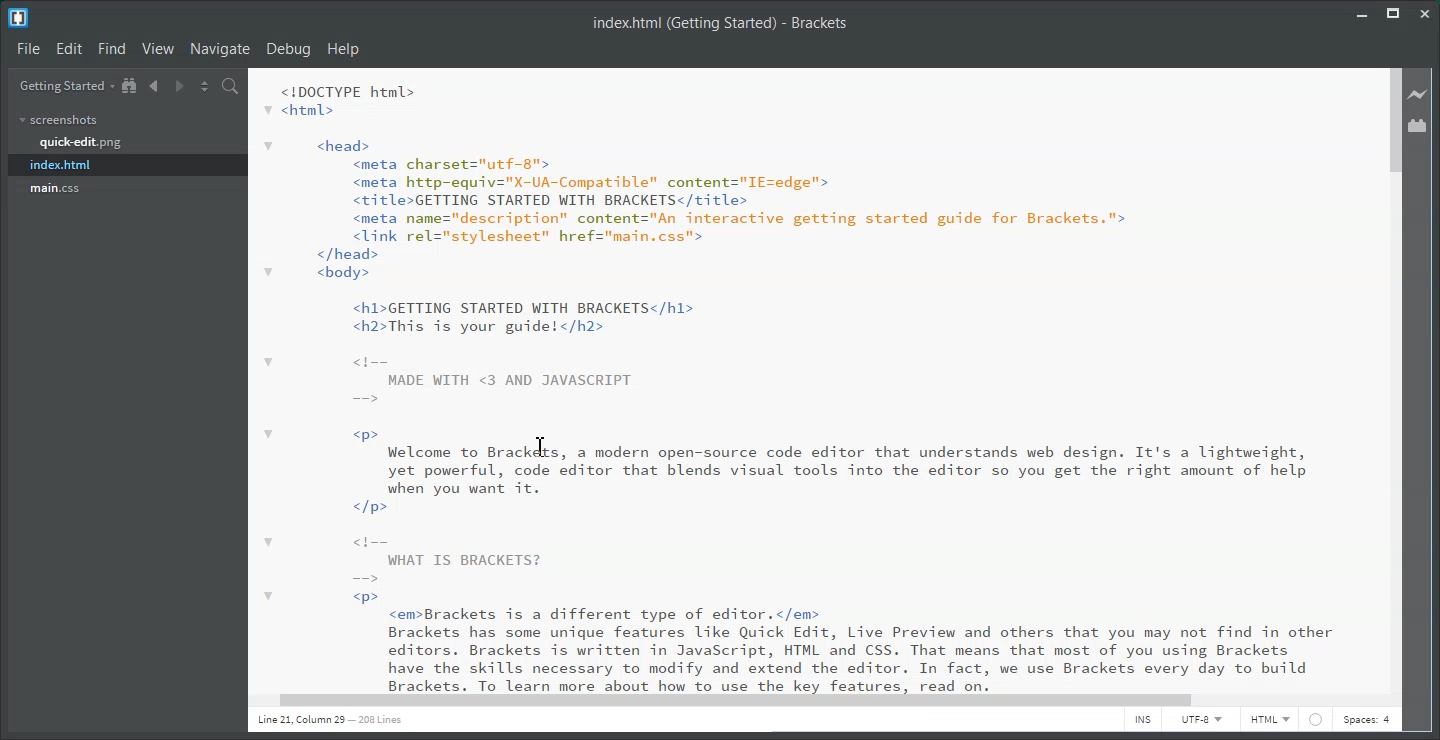 This screenshot has height=740, width=1440. What do you see at coordinates (60, 120) in the screenshot?
I see `screenshots` at bounding box center [60, 120].